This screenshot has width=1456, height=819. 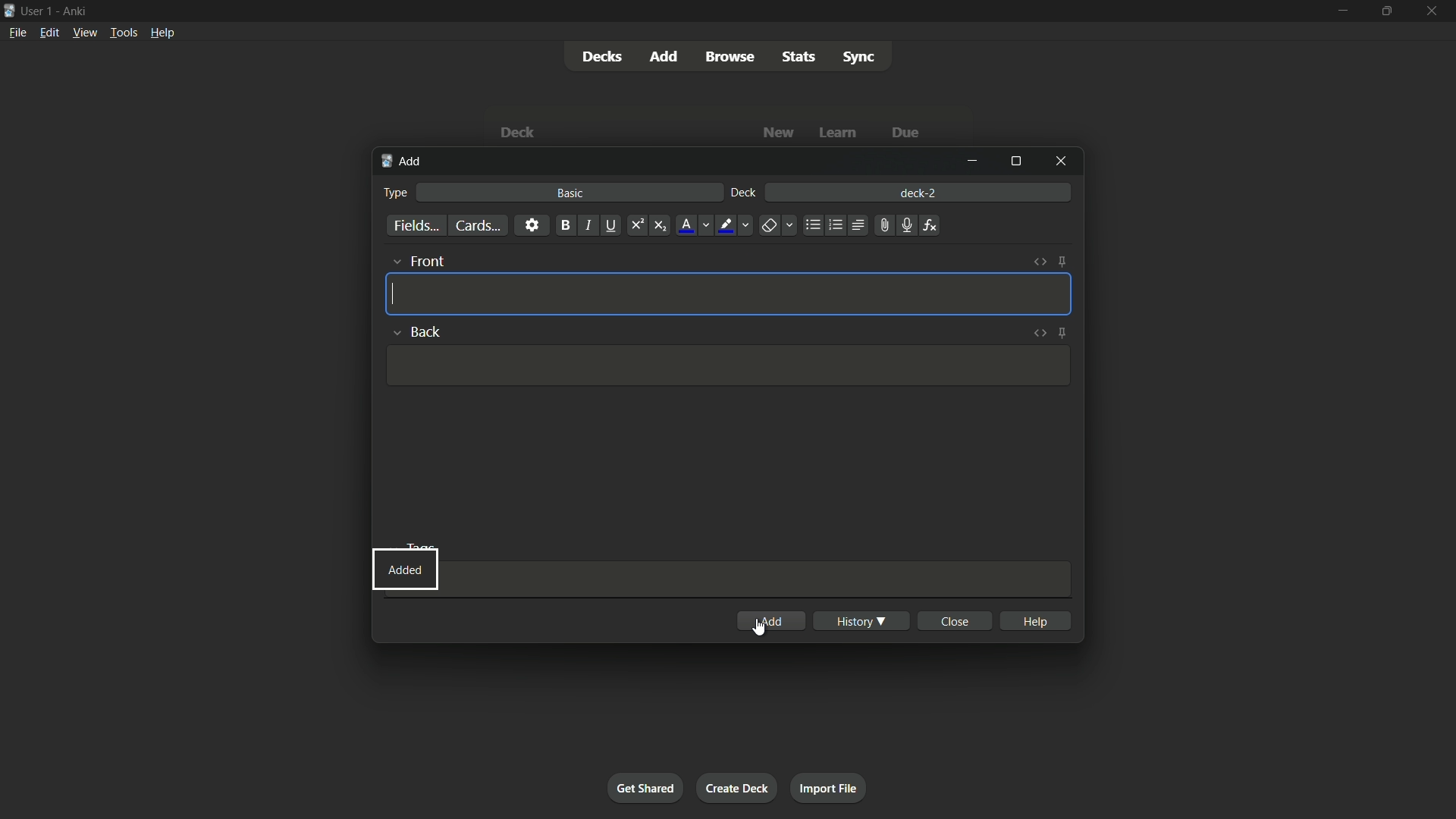 What do you see at coordinates (731, 57) in the screenshot?
I see `browse` at bounding box center [731, 57].